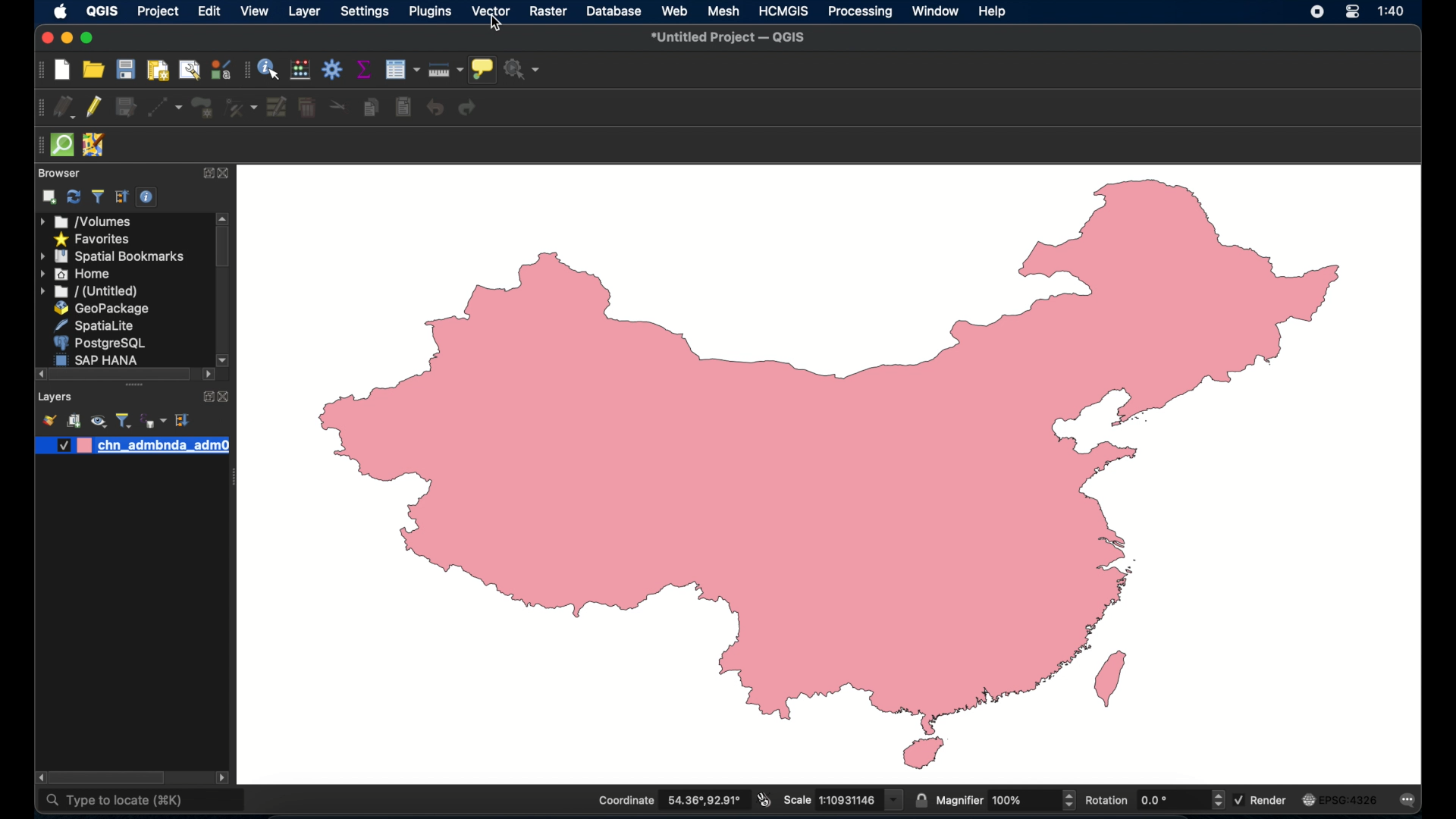  What do you see at coordinates (156, 70) in the screenshot?
I see `print layout` at bounding box center [156, 70].